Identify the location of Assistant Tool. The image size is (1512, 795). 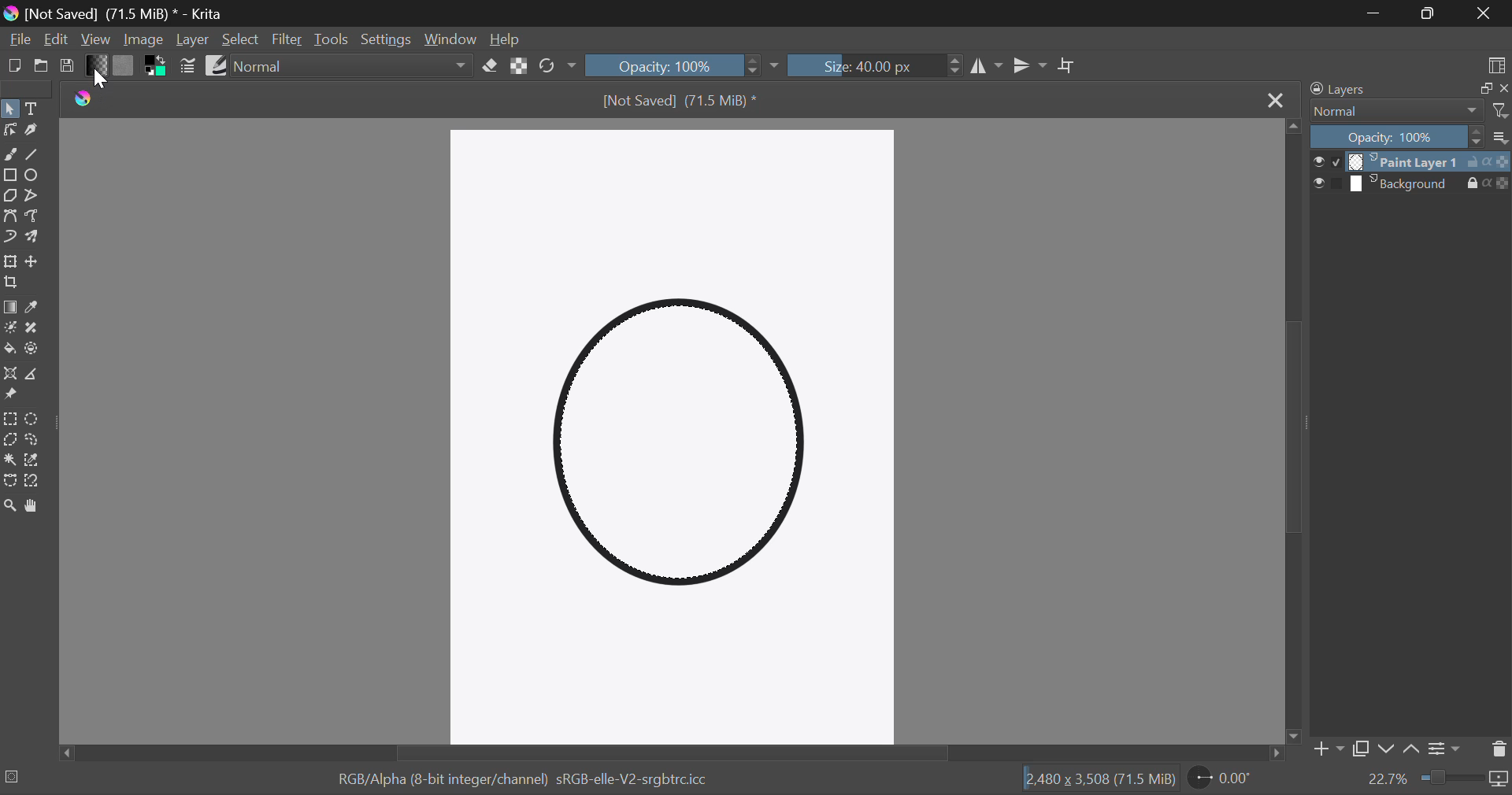
(10, 372).